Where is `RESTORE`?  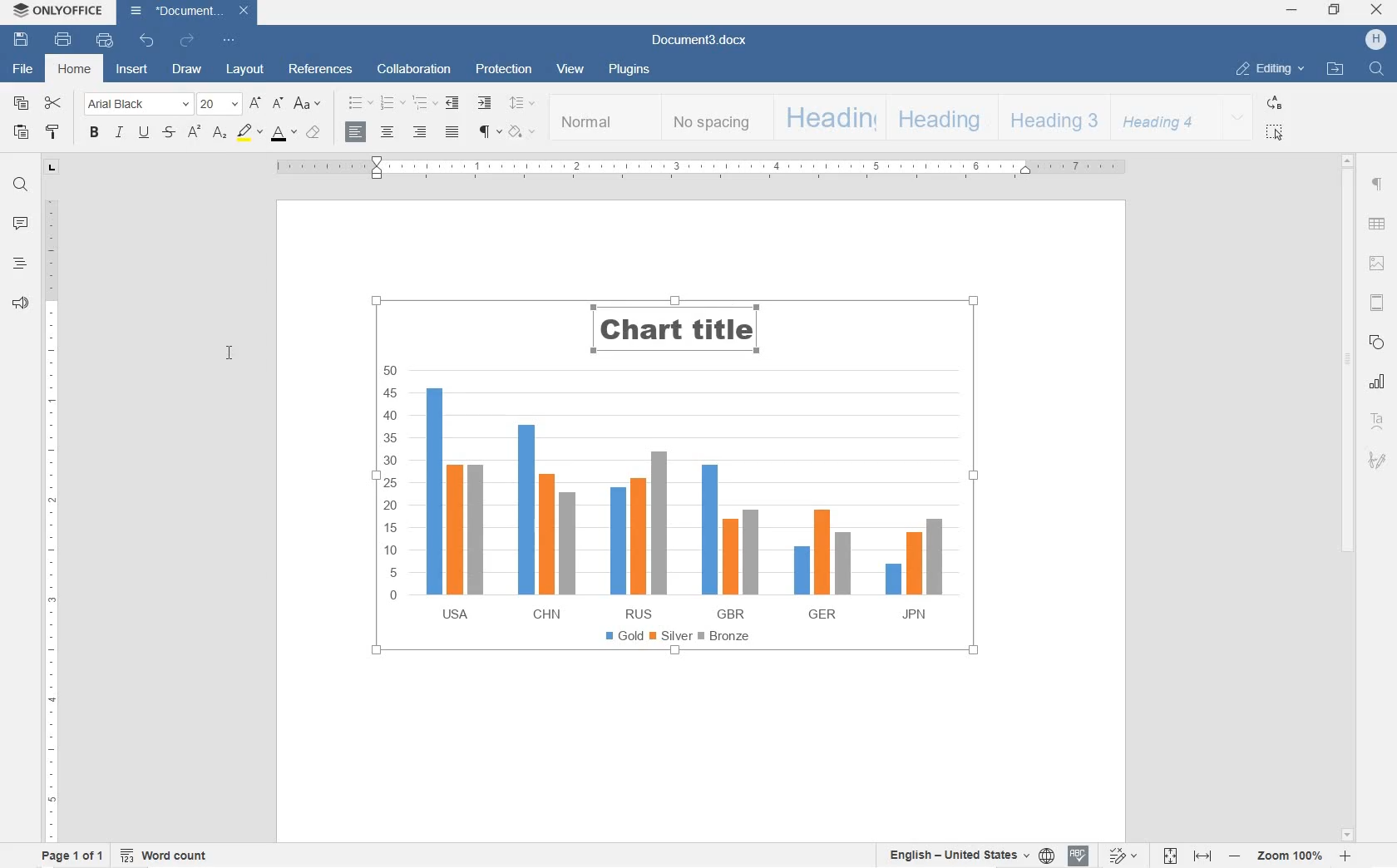 RESTORE is located at coordinates (1336, 11).